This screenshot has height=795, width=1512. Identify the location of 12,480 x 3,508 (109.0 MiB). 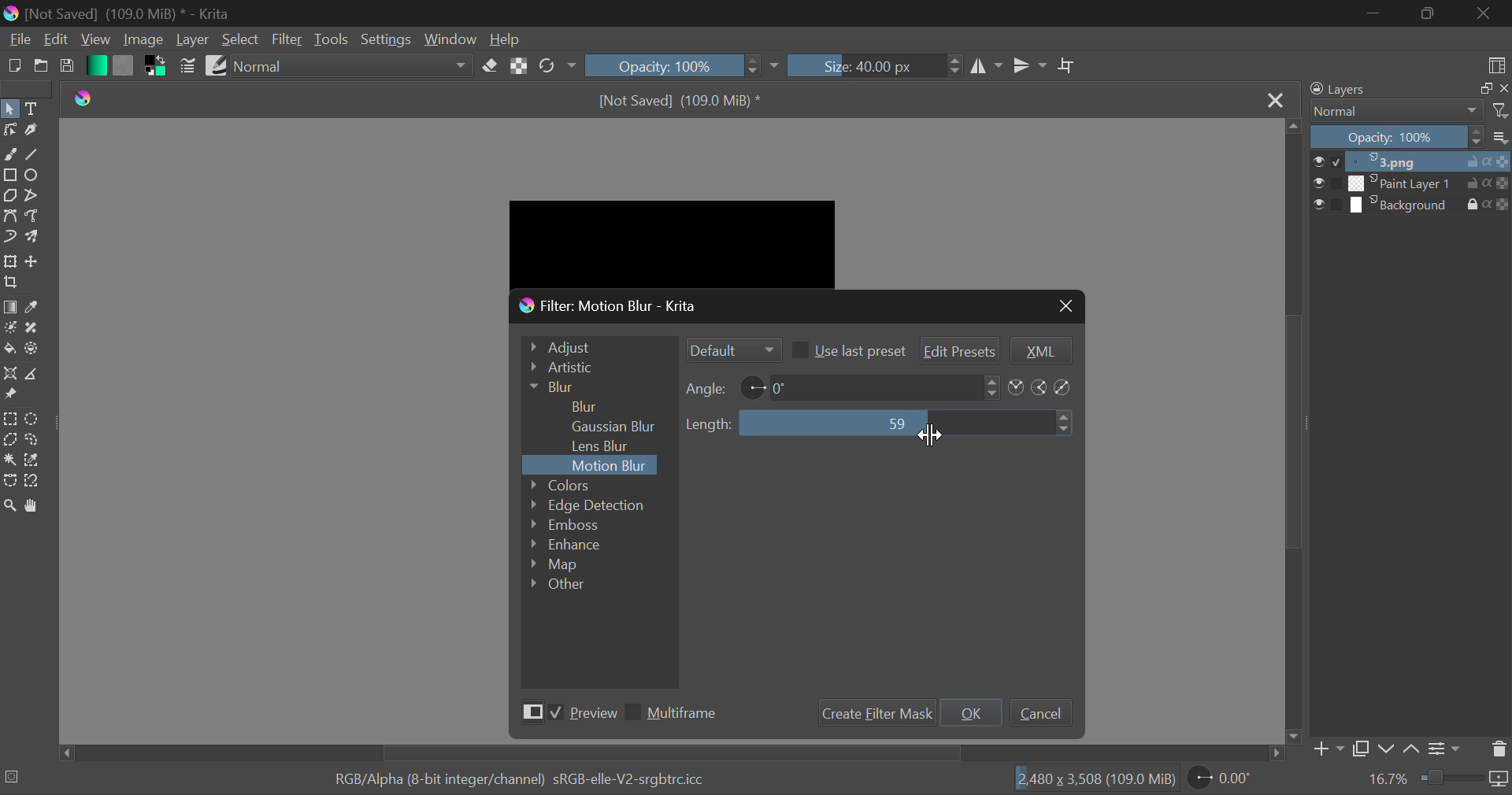
(1095, 778).